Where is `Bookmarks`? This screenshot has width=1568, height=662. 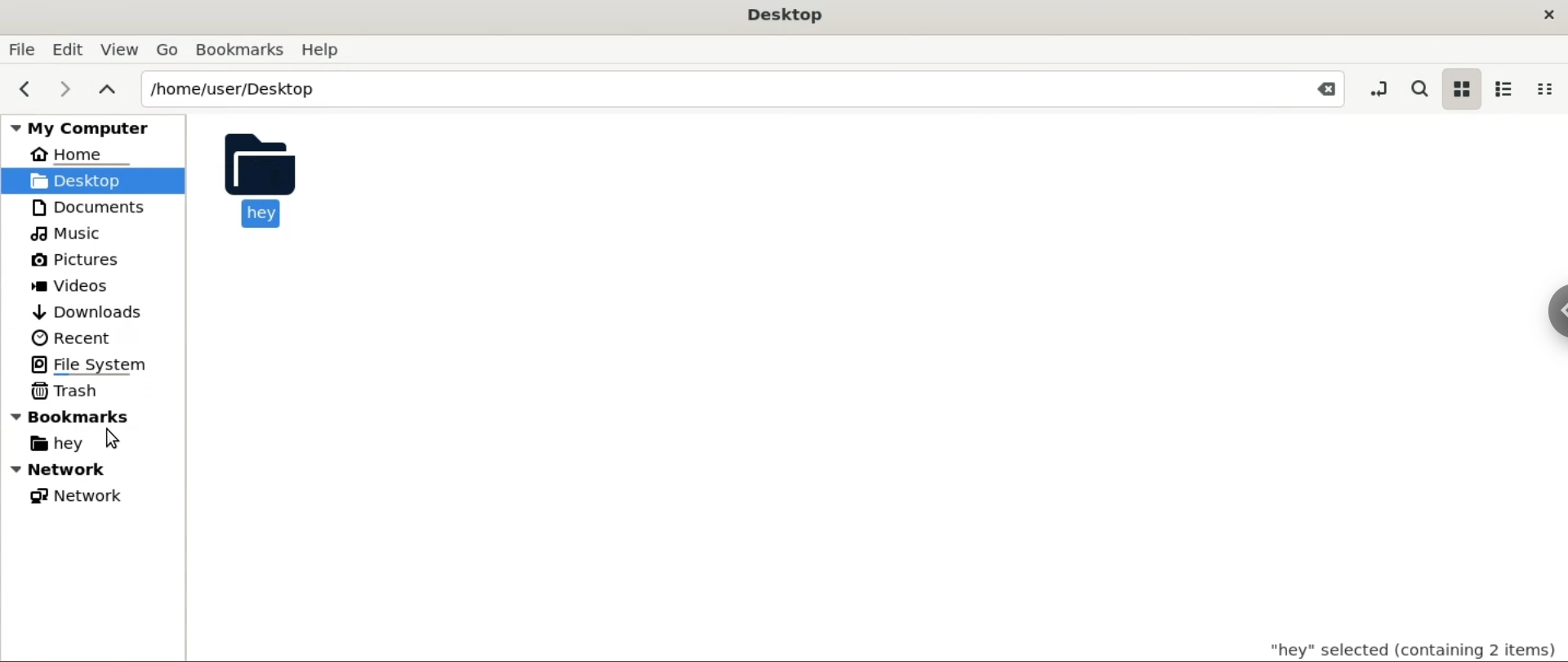
Bookmarks is located at coordinates (238, 48).